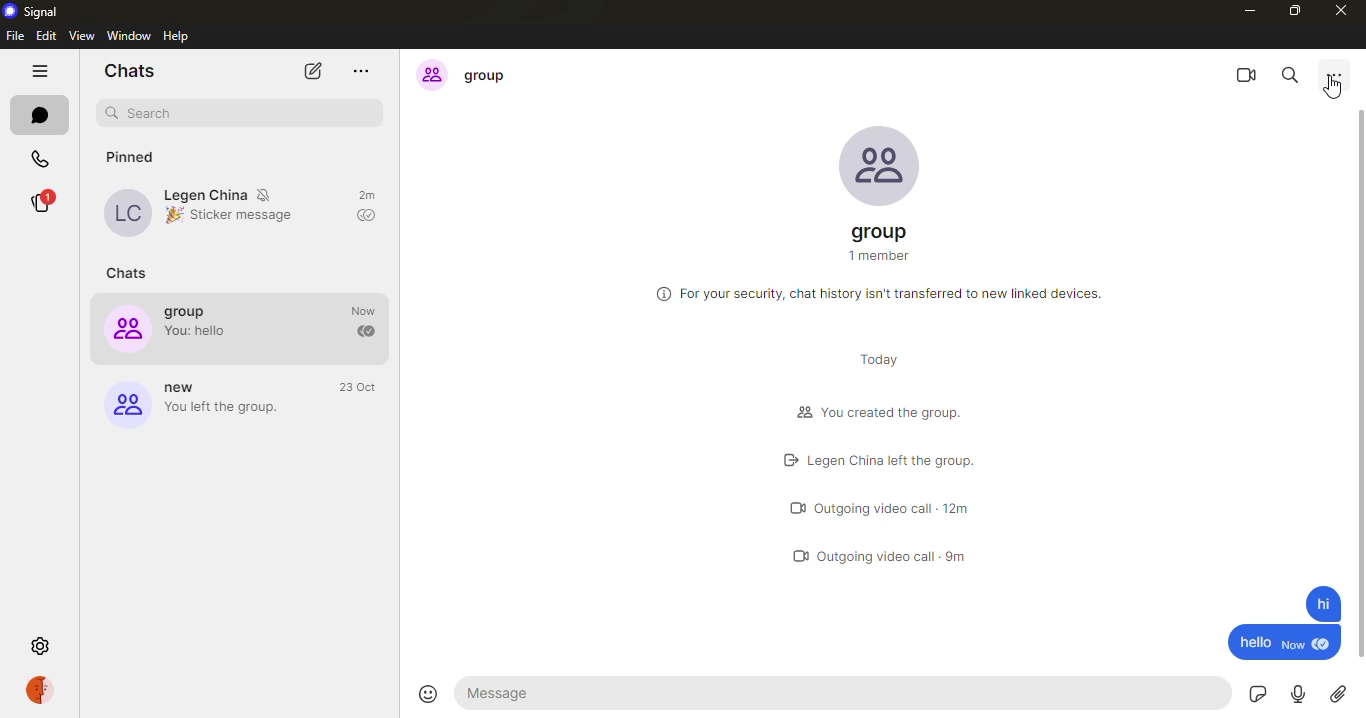 This screenshot has height=718, width=1366. I want to click on mute notifications, so click(269, 193).